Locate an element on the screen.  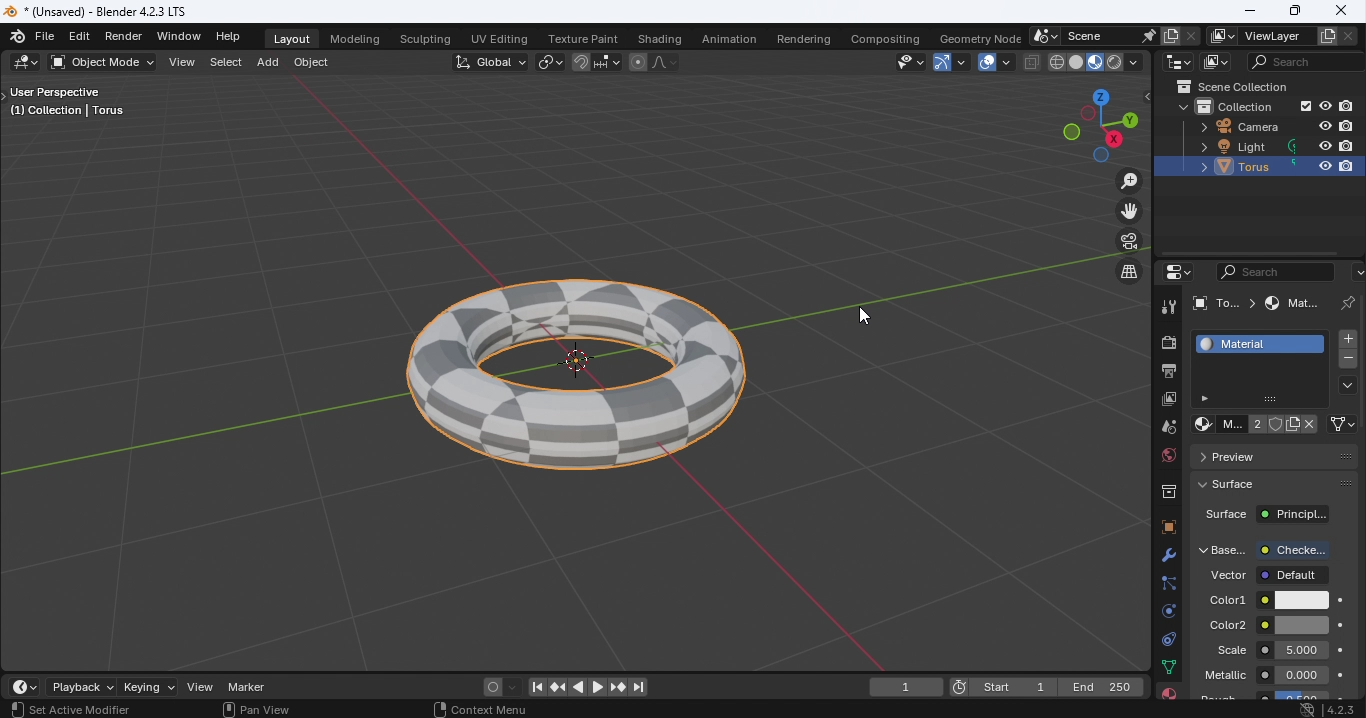
Material is located at coordinates (1293, 303).